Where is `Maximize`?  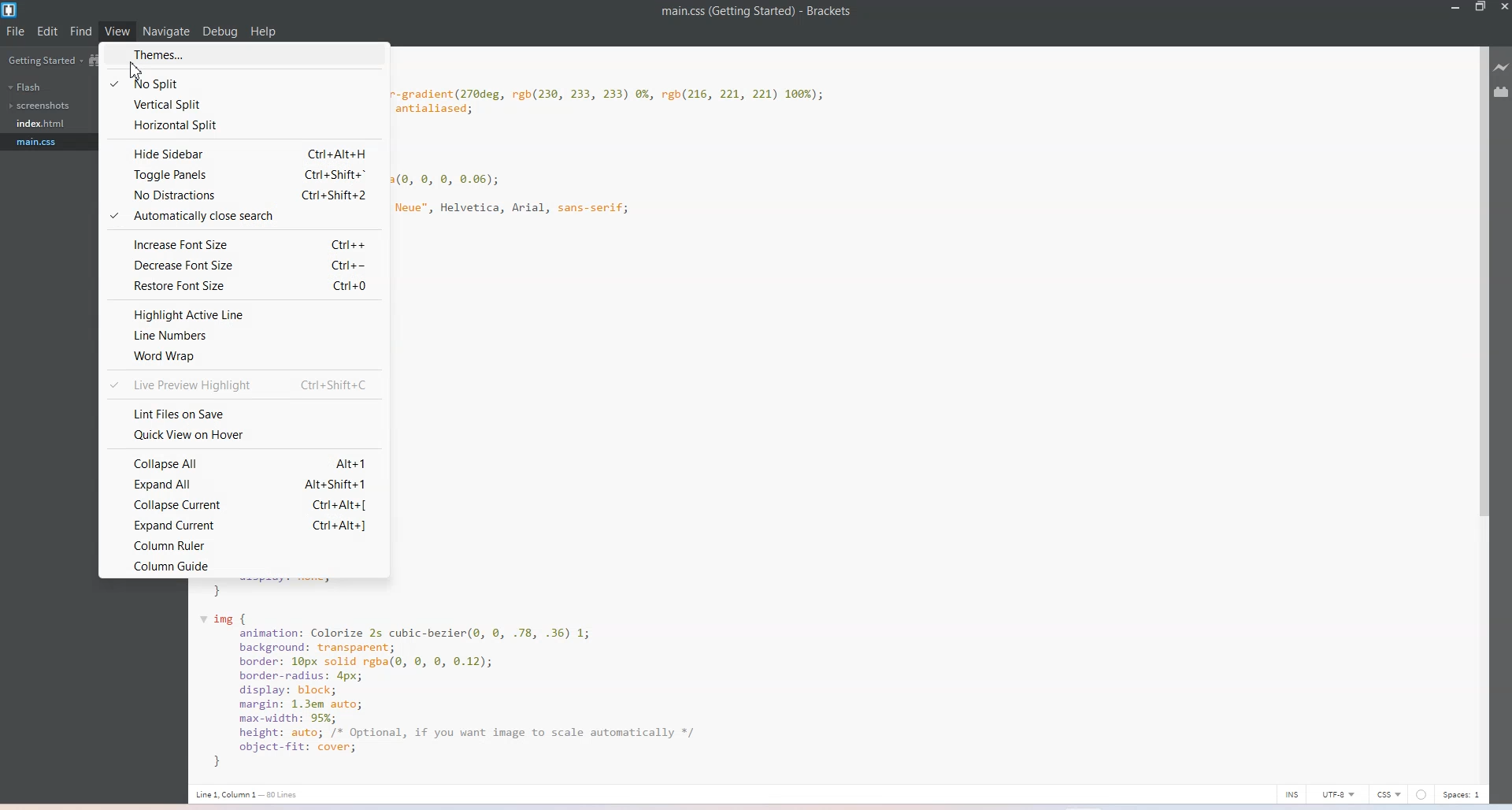 Maximize is located at coordinates (1481, 8).